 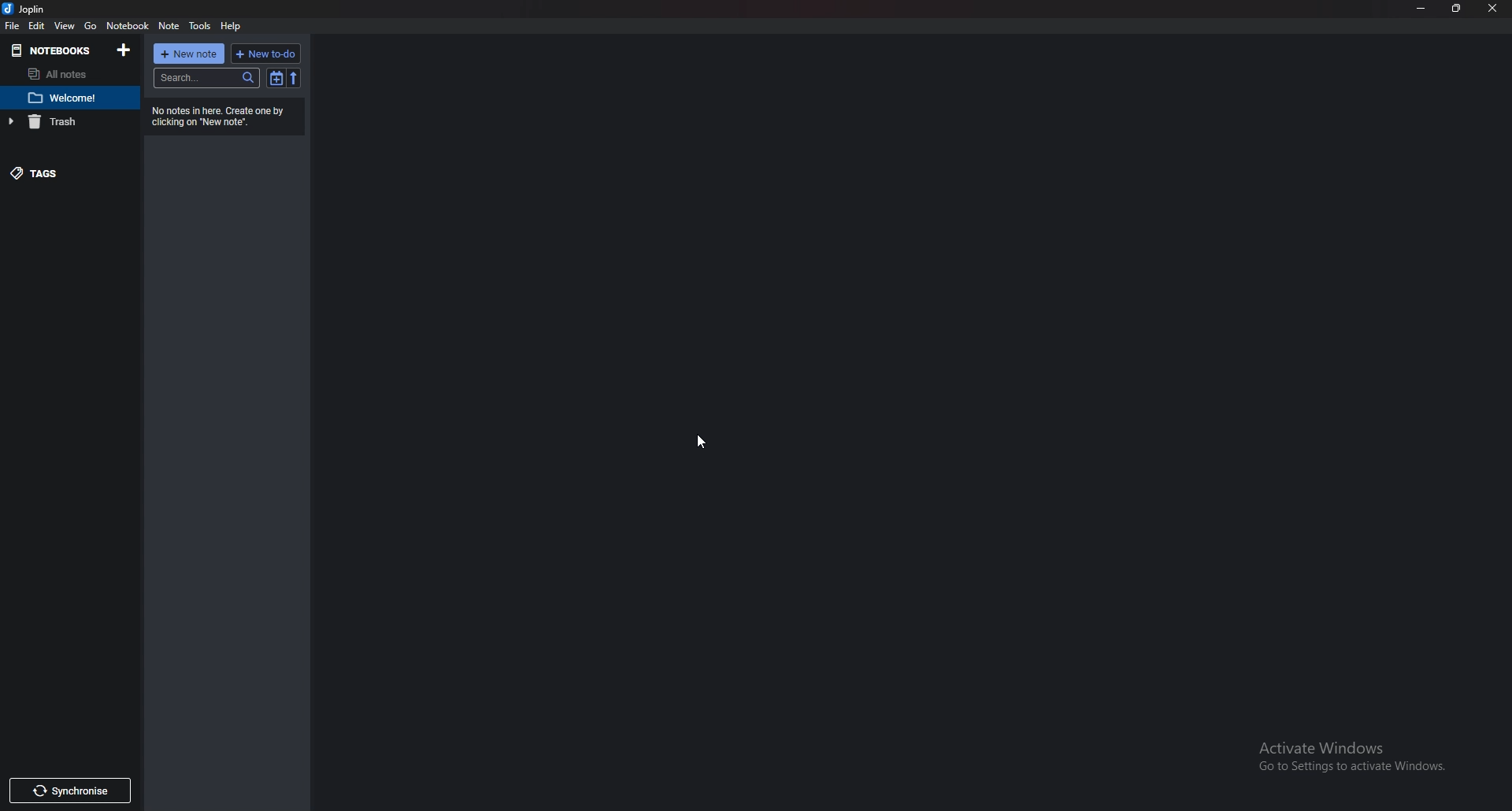 What do you see at coordinates (187, 54) in the screenshot?
I see `new note` at bounding box center [187, 54].